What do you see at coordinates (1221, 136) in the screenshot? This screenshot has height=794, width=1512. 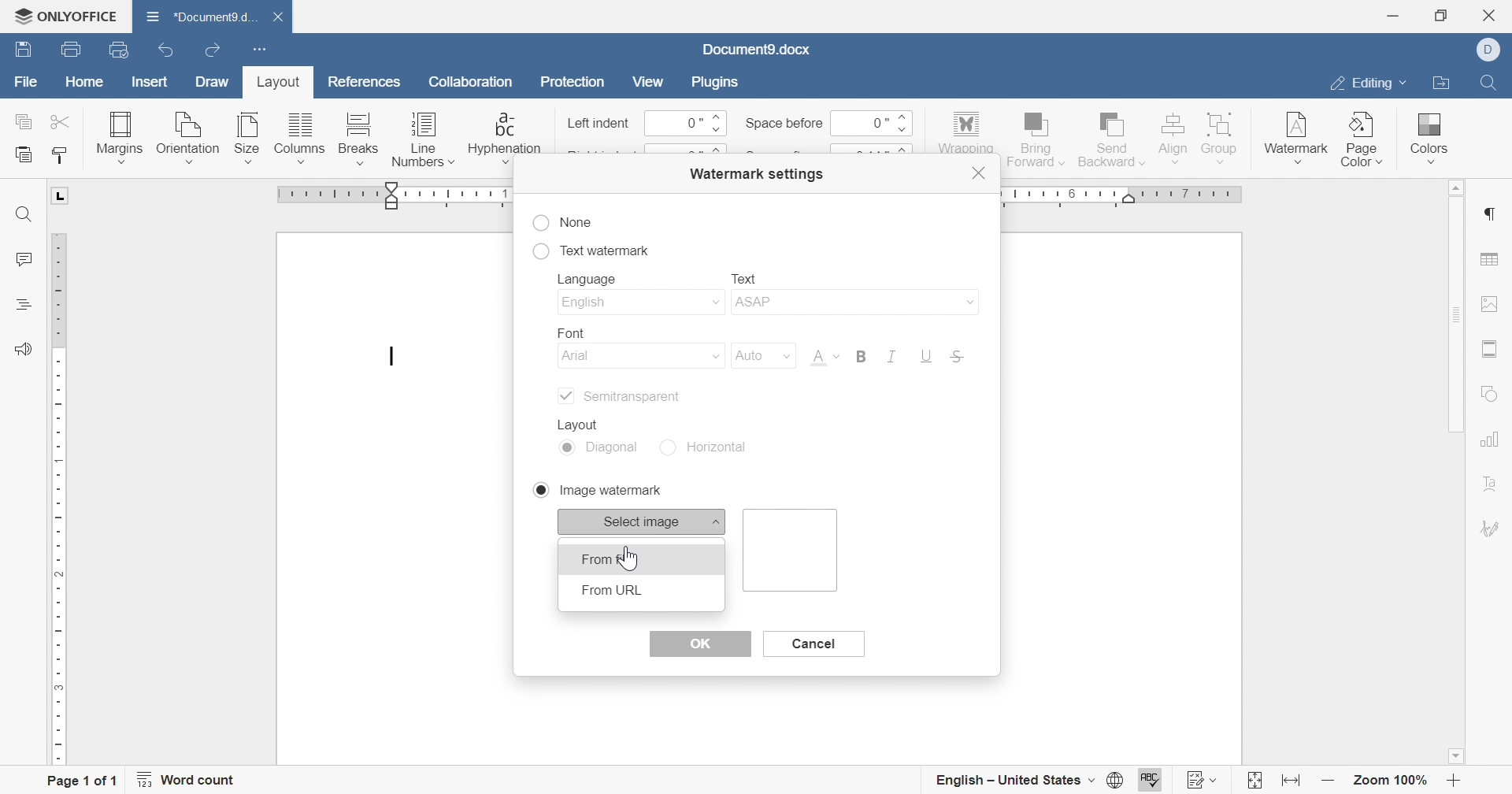 I see `group` at bounding box center [1221, 136].